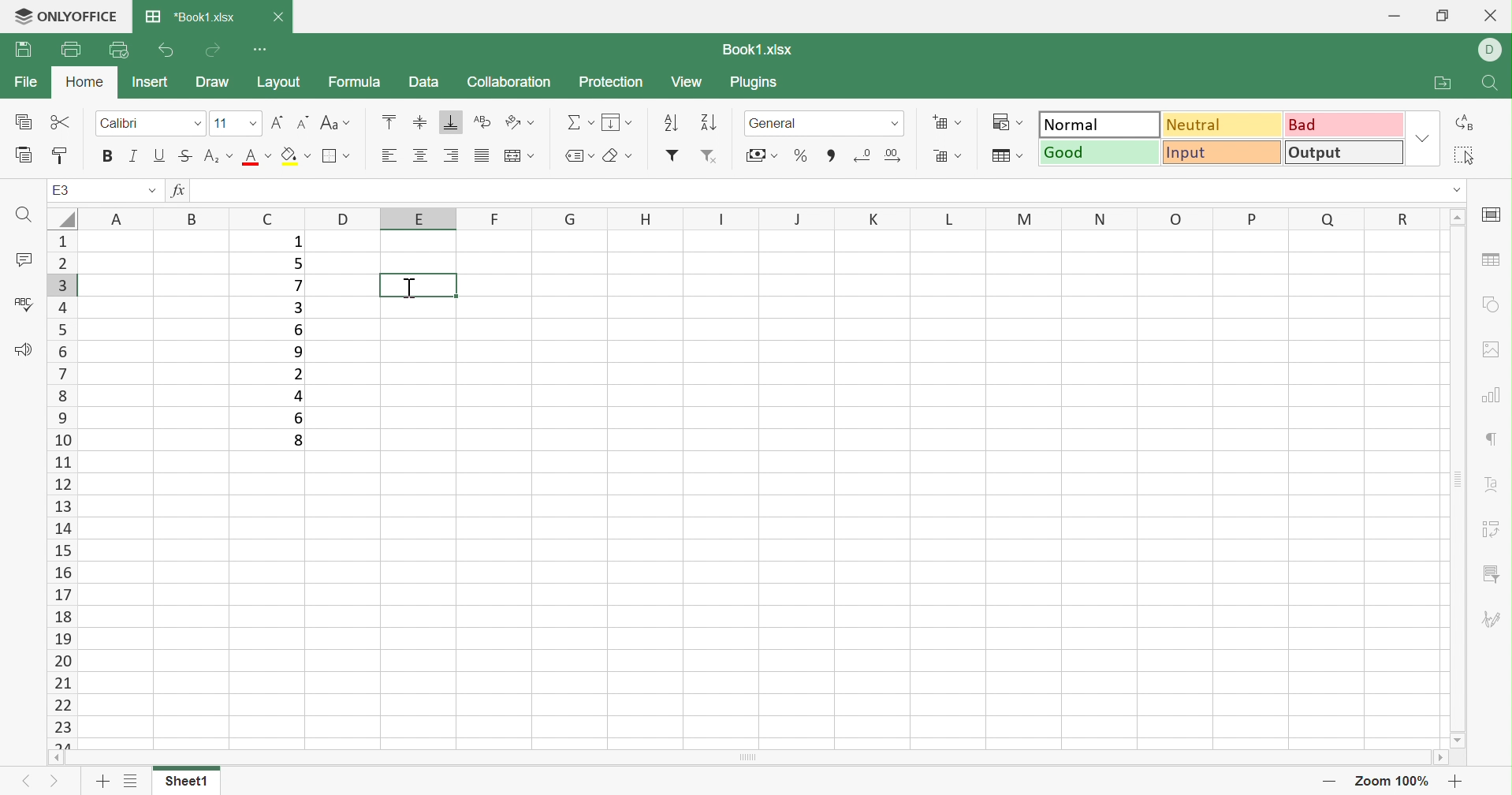 This screenshot has width=1512, height=795. I want to click on Book1.xlsx, so click(759, 47).